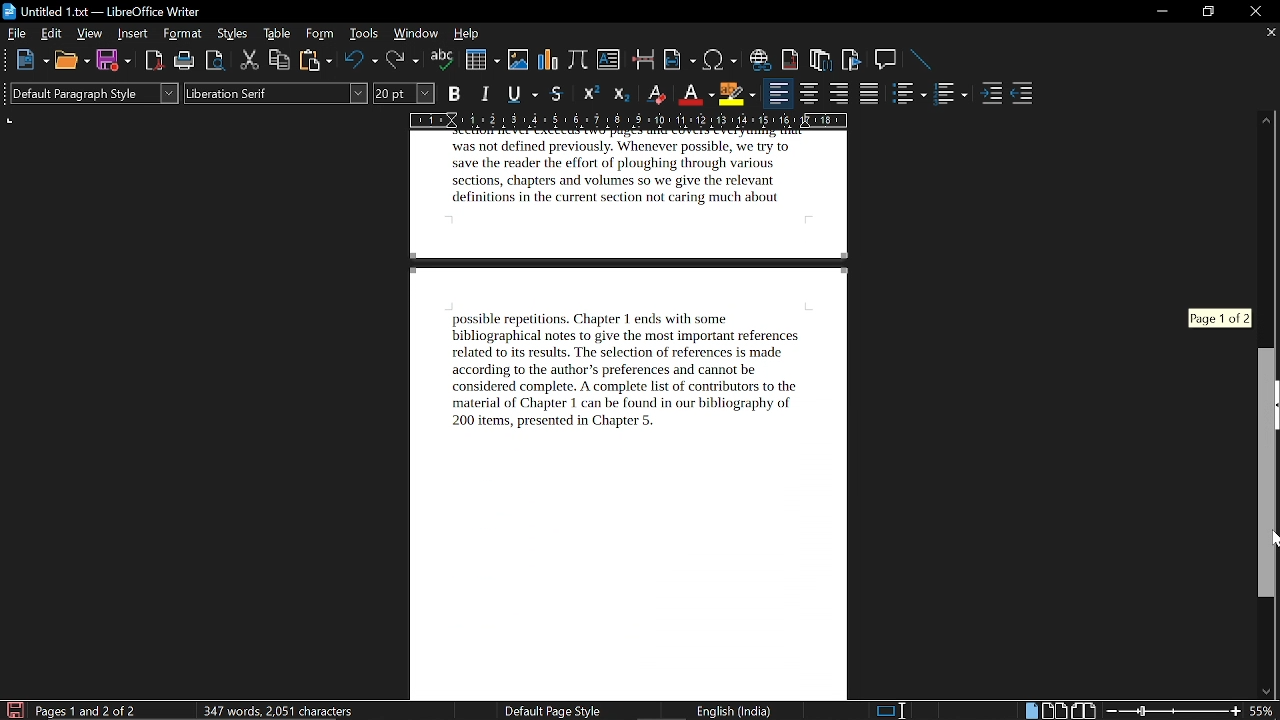 The width and height of the screenshot is (1280, 720). What do you see at coordinates (545, 711) in the screenshot?
I see `page style` at bounding box center [545, 711].